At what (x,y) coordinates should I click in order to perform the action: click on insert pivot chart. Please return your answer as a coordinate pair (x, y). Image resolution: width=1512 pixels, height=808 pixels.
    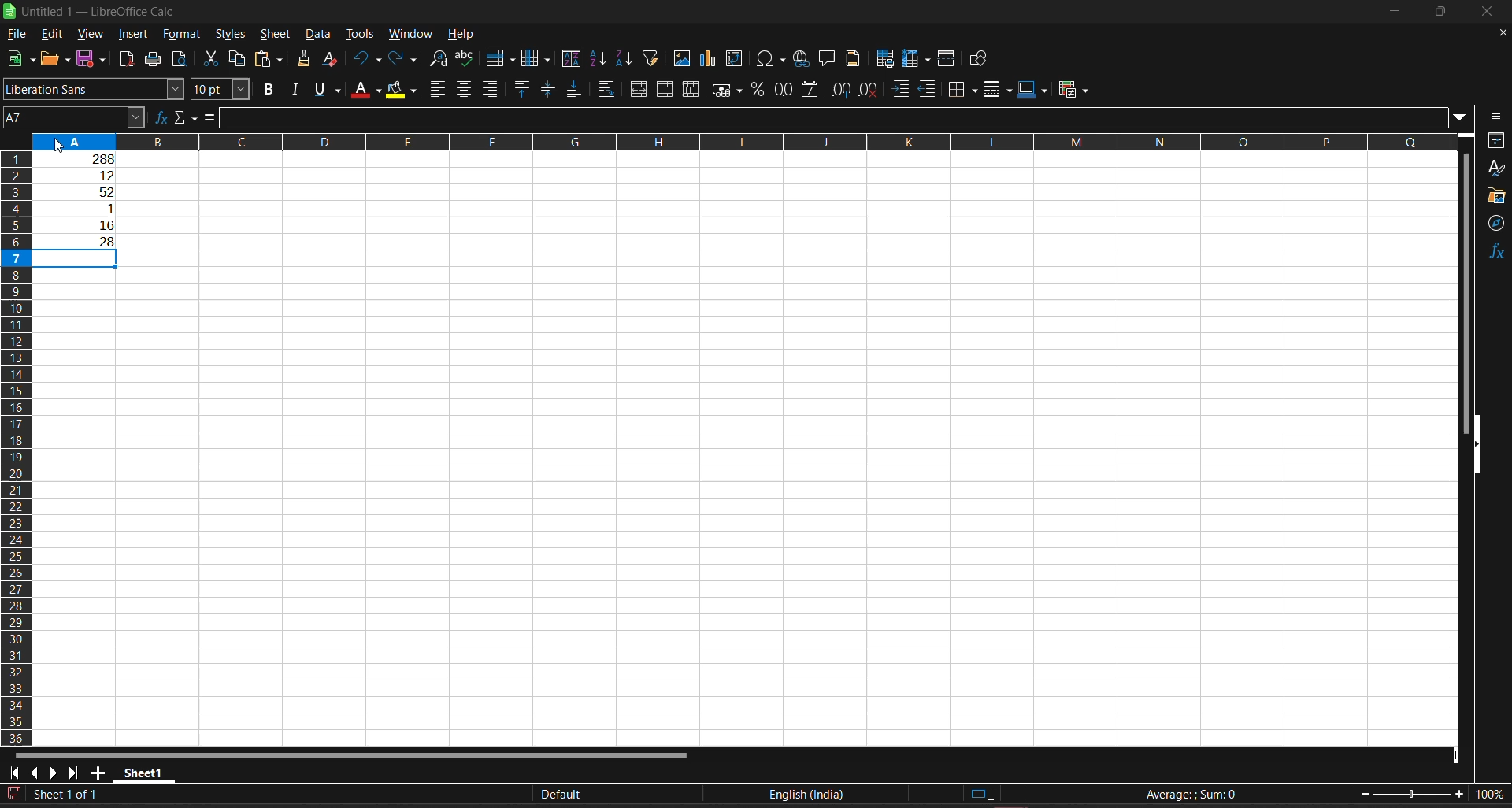
    Looking at the image, I should click on (709, 60).